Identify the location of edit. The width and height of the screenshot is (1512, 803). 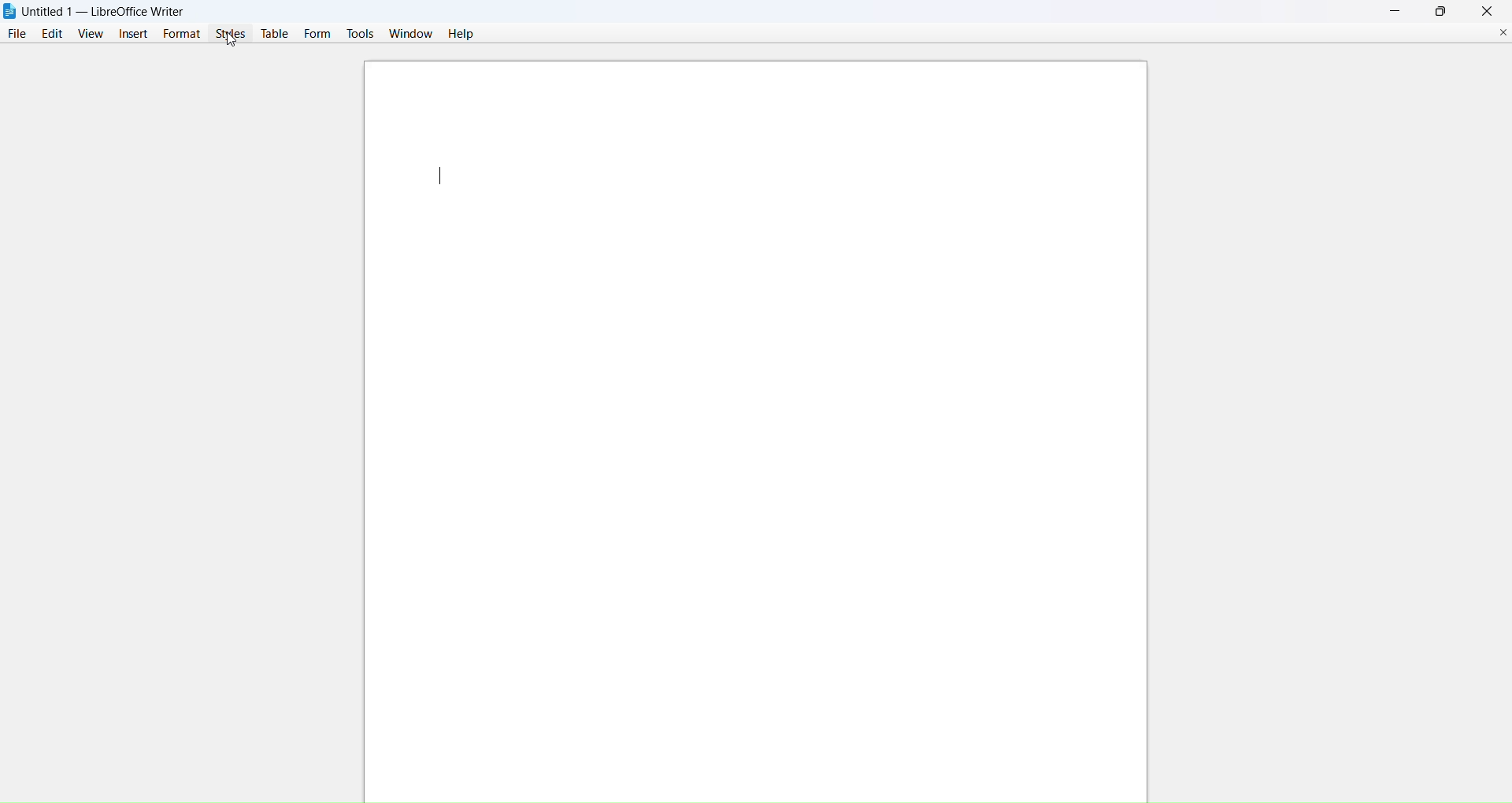
(54, 33).